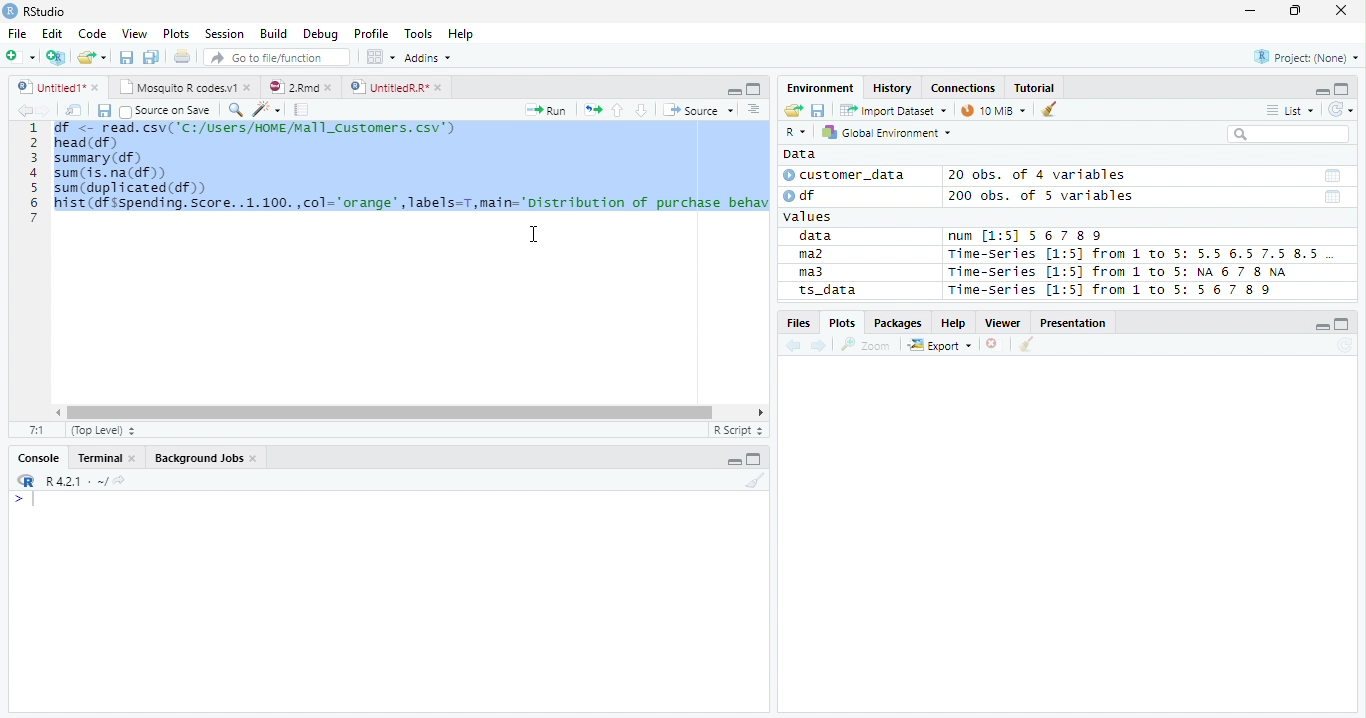  I want to click on Help, so click(954, 324).